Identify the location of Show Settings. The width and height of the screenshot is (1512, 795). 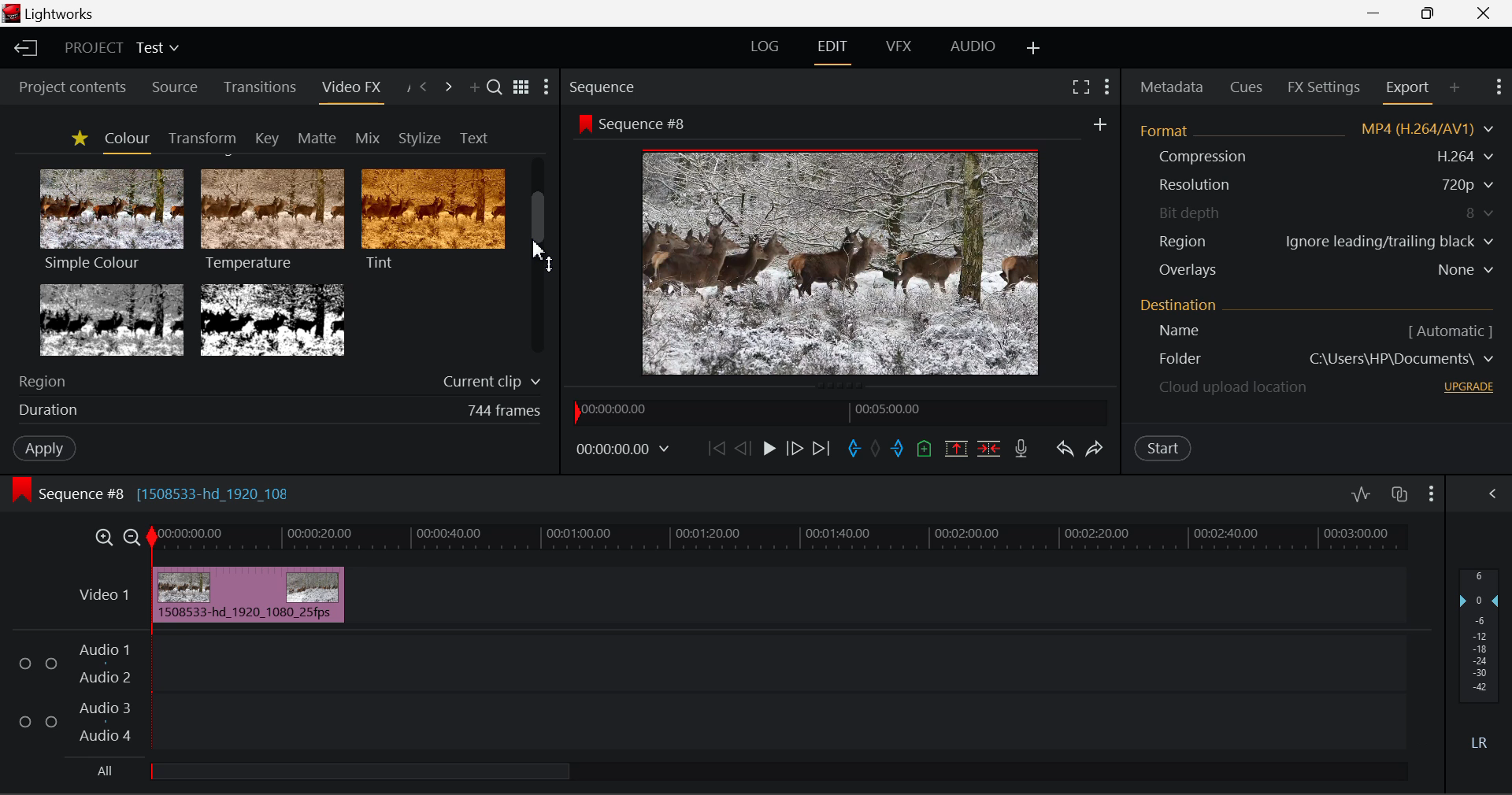
(1106, 88).